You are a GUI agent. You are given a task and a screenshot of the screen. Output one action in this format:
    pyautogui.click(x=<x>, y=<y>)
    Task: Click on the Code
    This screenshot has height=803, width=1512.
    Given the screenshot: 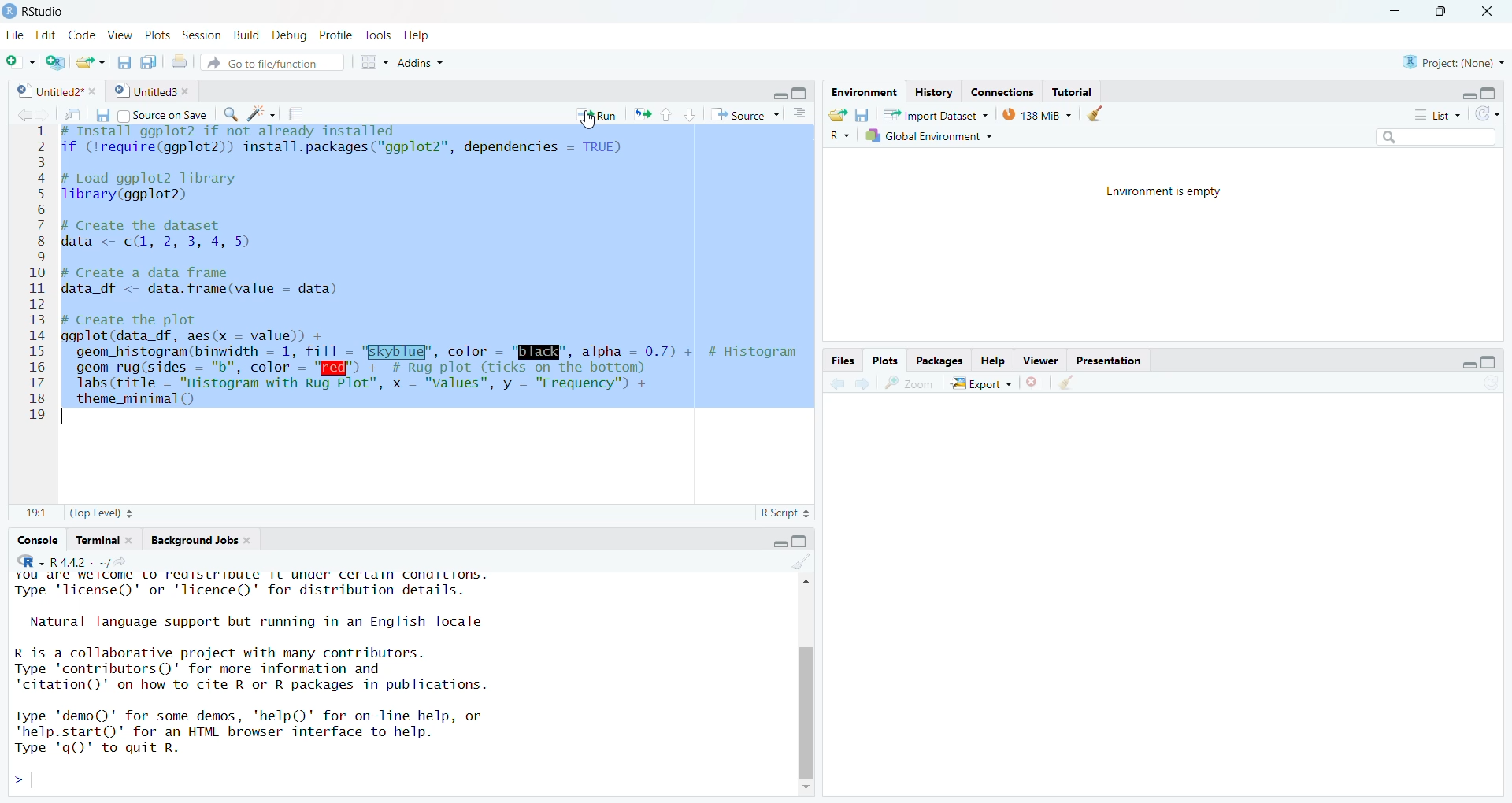 What is the action you would take?
    pyautogui.click(x=81, y=35)
    